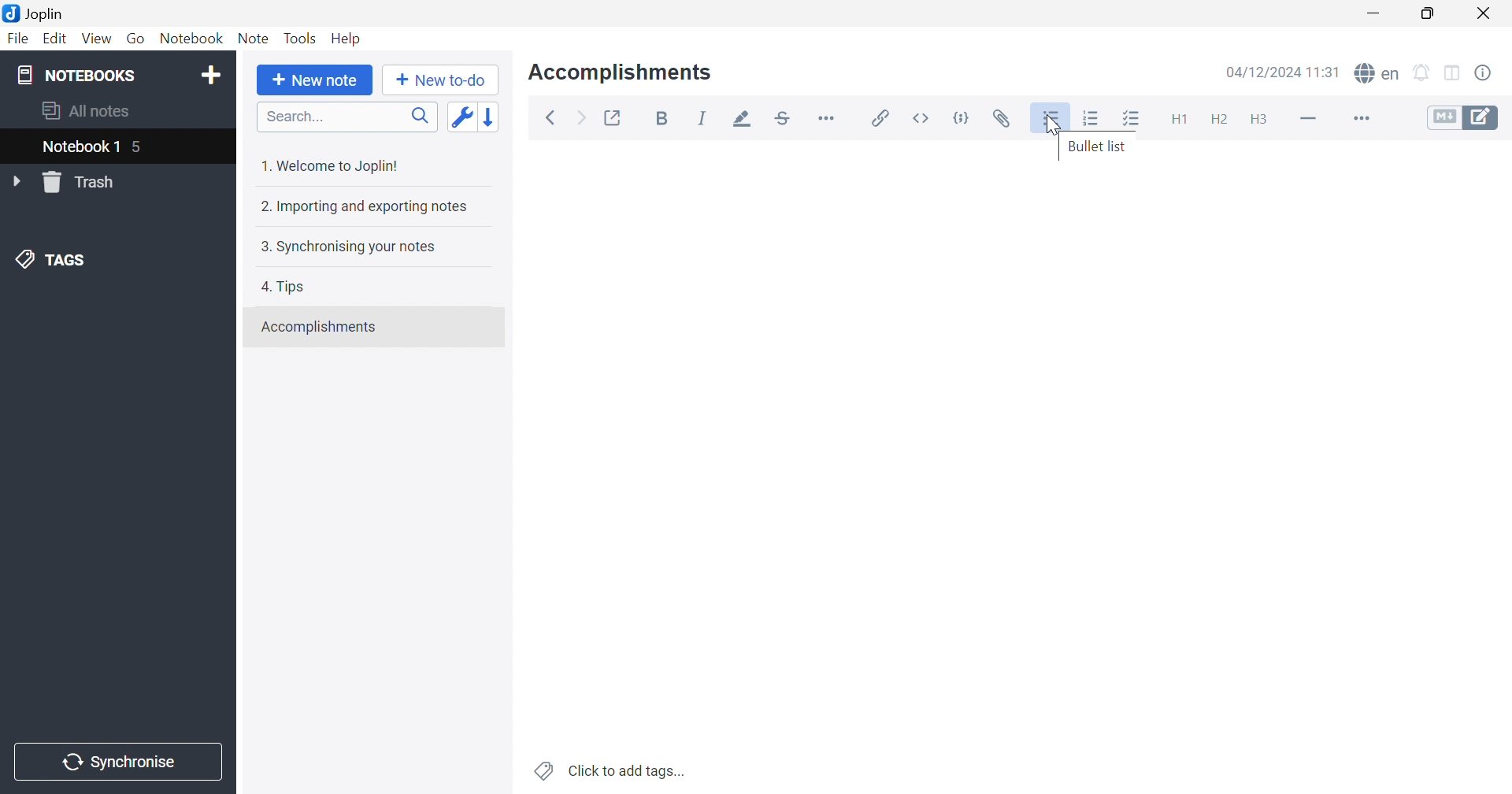 The image size is (1512, 794). I want to click on Synchronise, so click(115, 762).